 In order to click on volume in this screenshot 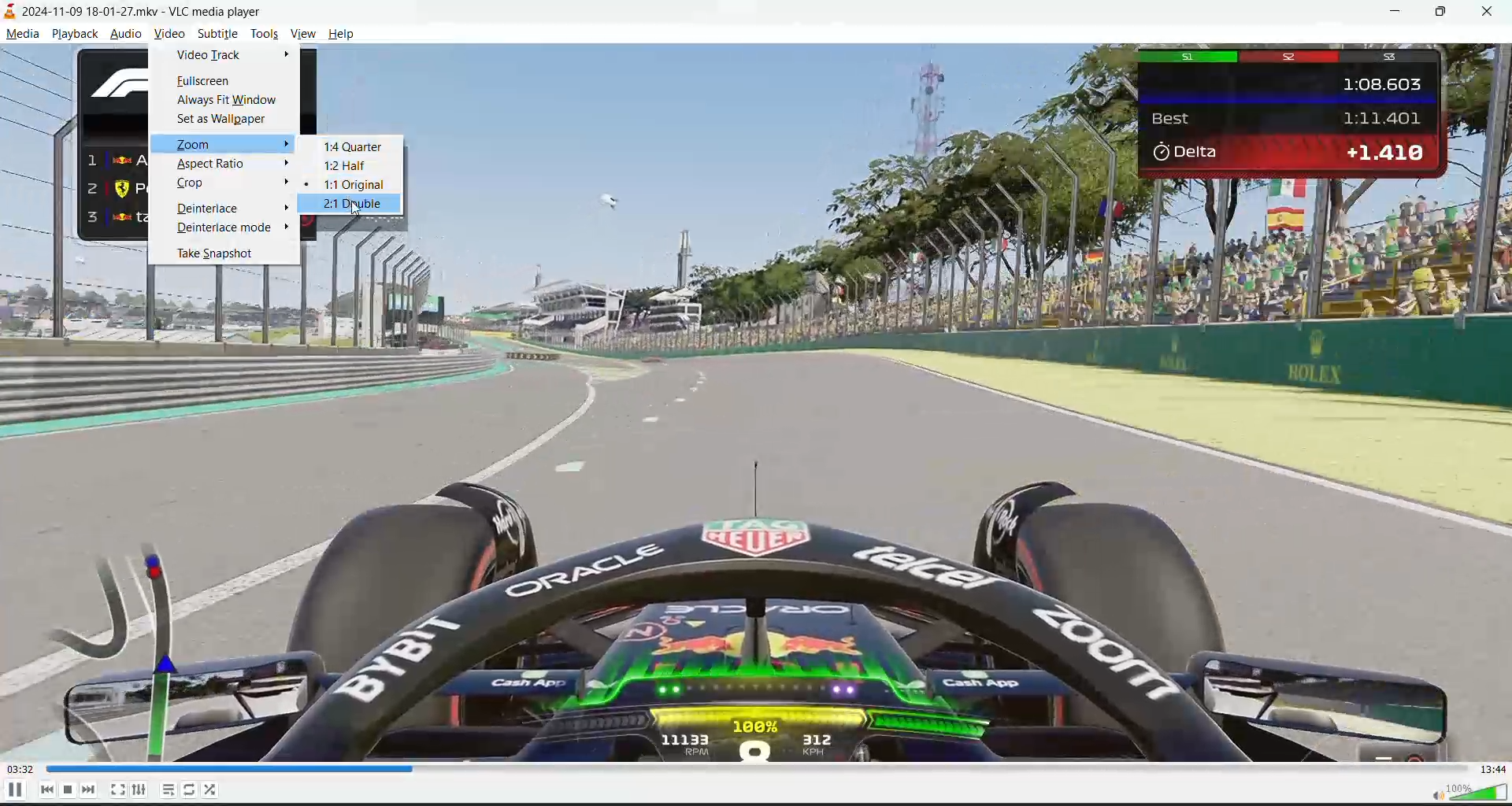, I will do `click(1469, 791)`.